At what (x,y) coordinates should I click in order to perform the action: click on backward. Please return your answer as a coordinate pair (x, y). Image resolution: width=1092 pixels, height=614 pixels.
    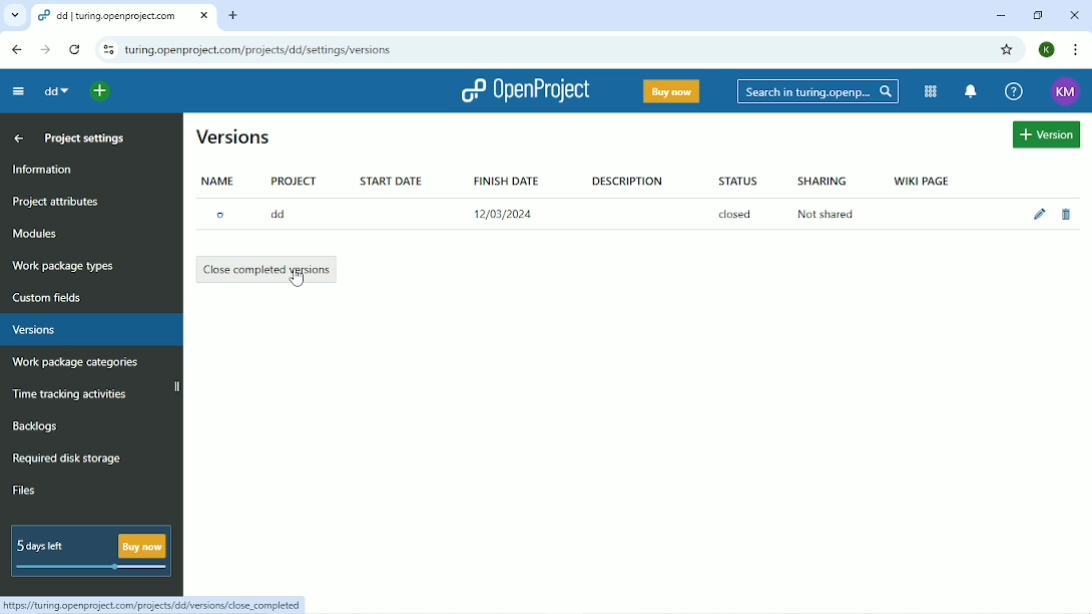
    Looking at the image, I should click on (14, 49).